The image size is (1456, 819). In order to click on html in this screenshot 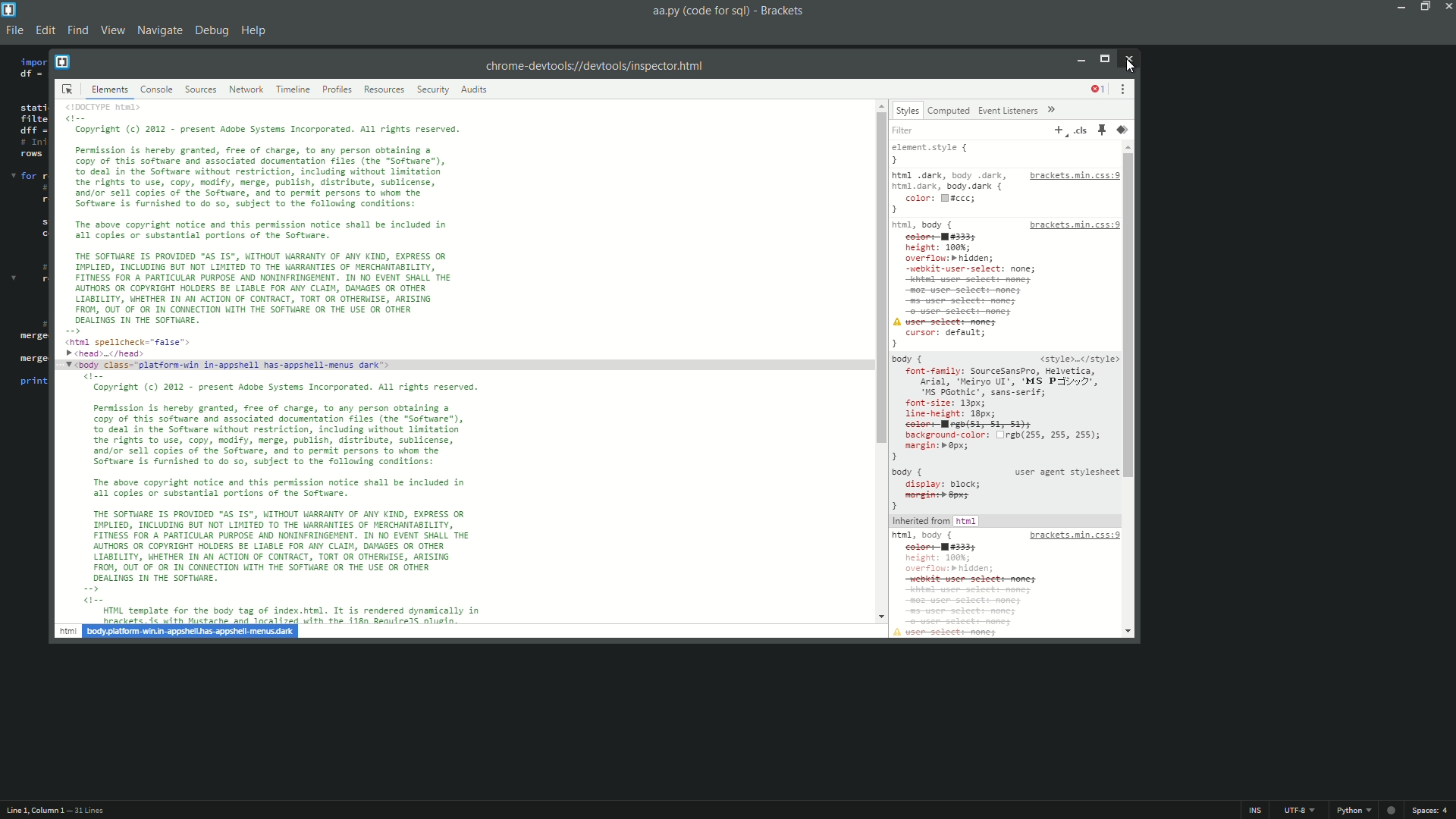, I will do `click(67, 631)`.